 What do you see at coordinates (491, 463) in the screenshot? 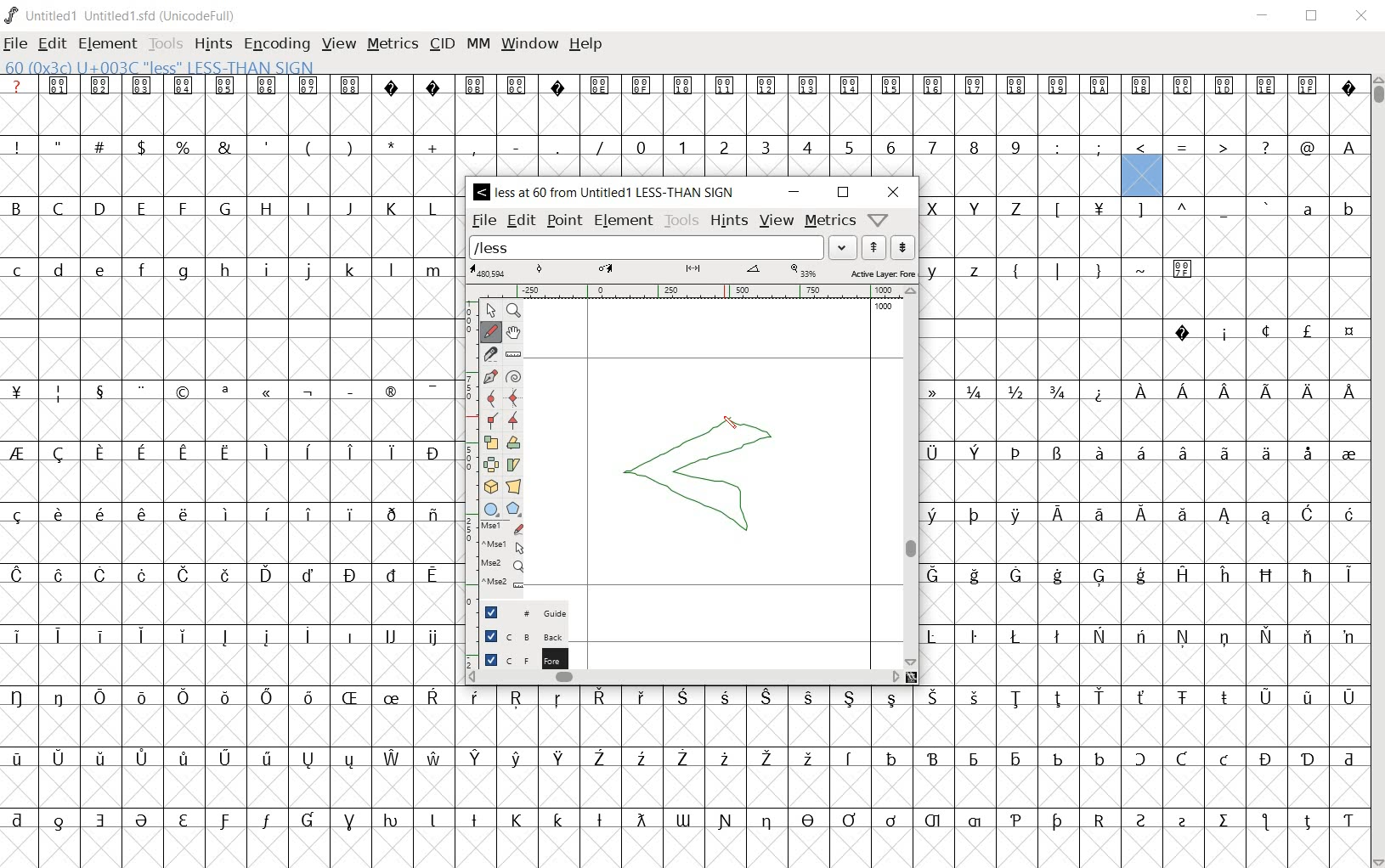
I see `flip the selection` at bounding box center [491, 463].